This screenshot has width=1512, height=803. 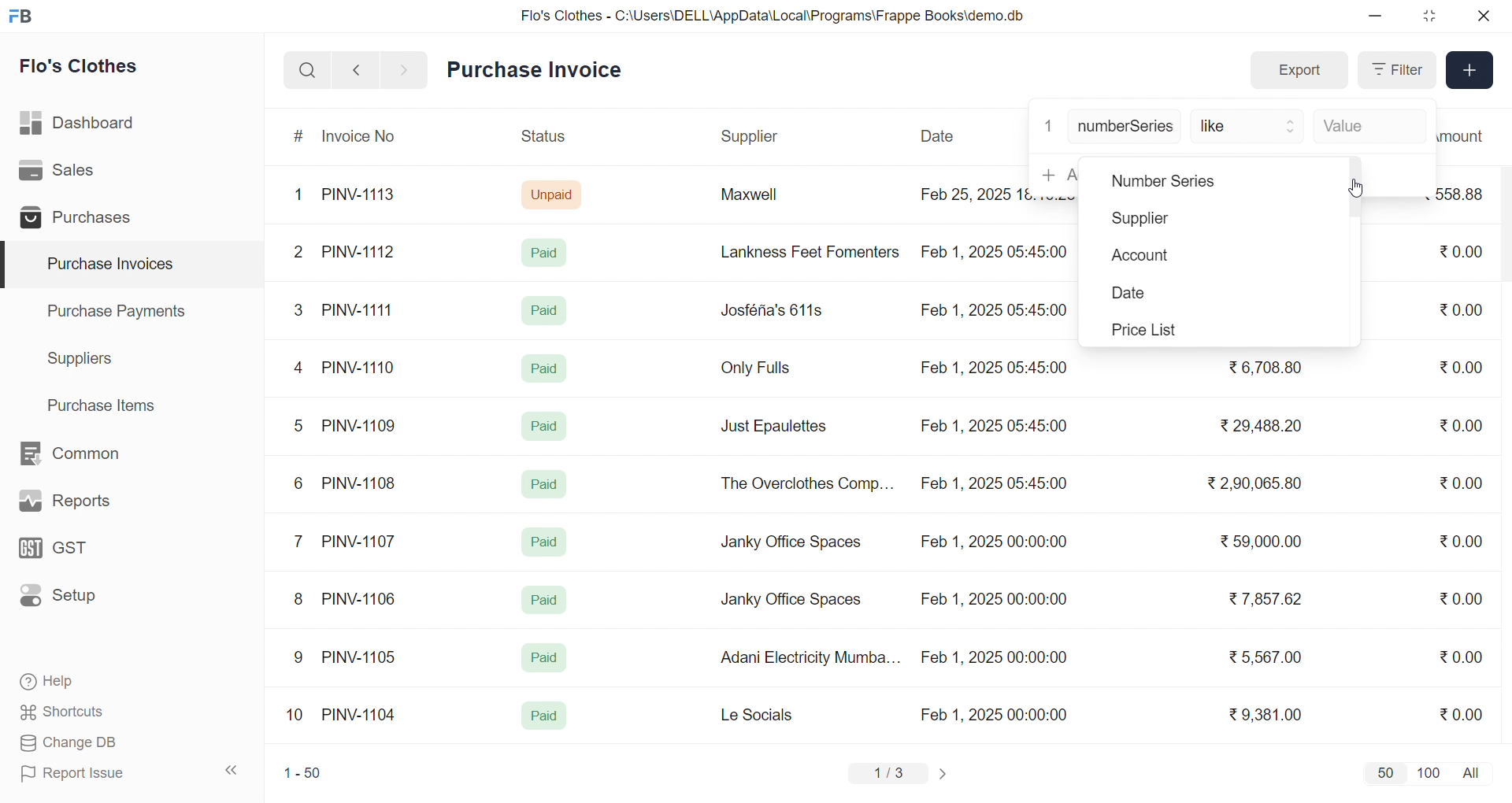 I want to click on Feb 1, 2025 05:45:00, so click(x=996, y=368).